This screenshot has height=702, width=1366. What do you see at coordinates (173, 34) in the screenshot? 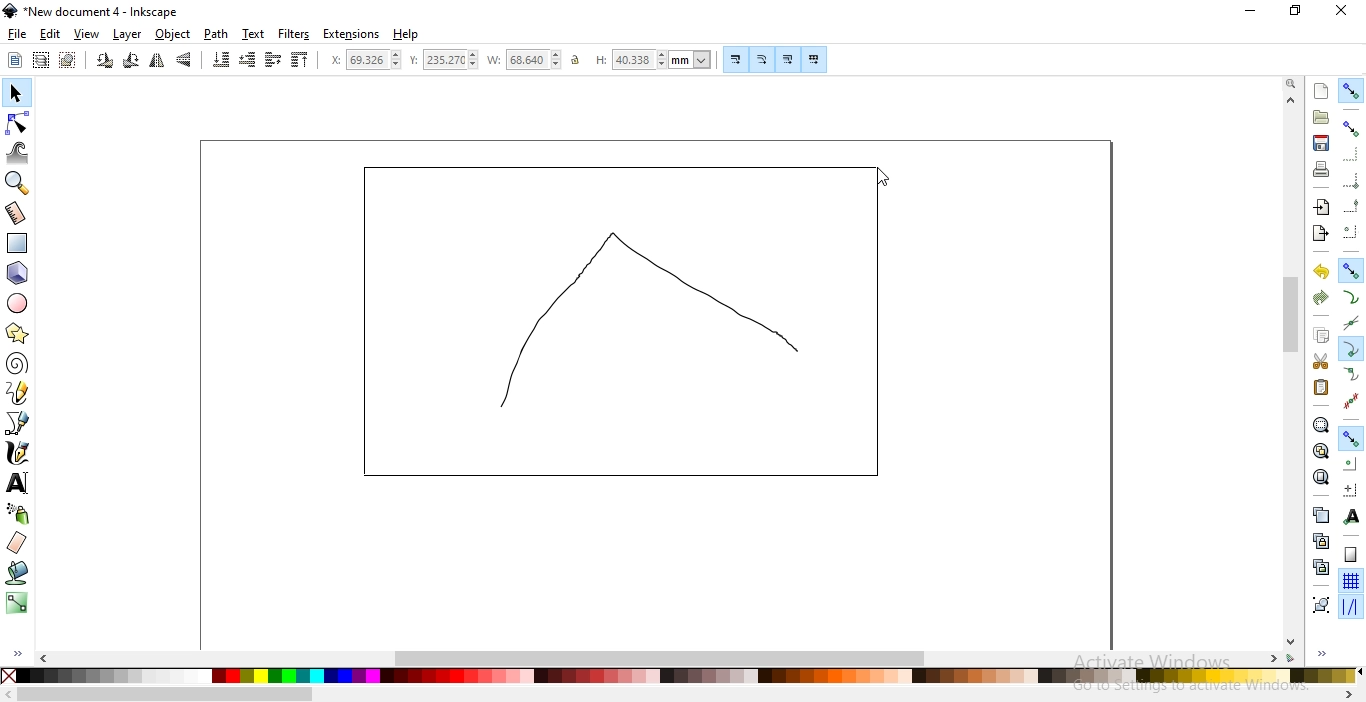
I see `object` at bounding box center [173, 34].